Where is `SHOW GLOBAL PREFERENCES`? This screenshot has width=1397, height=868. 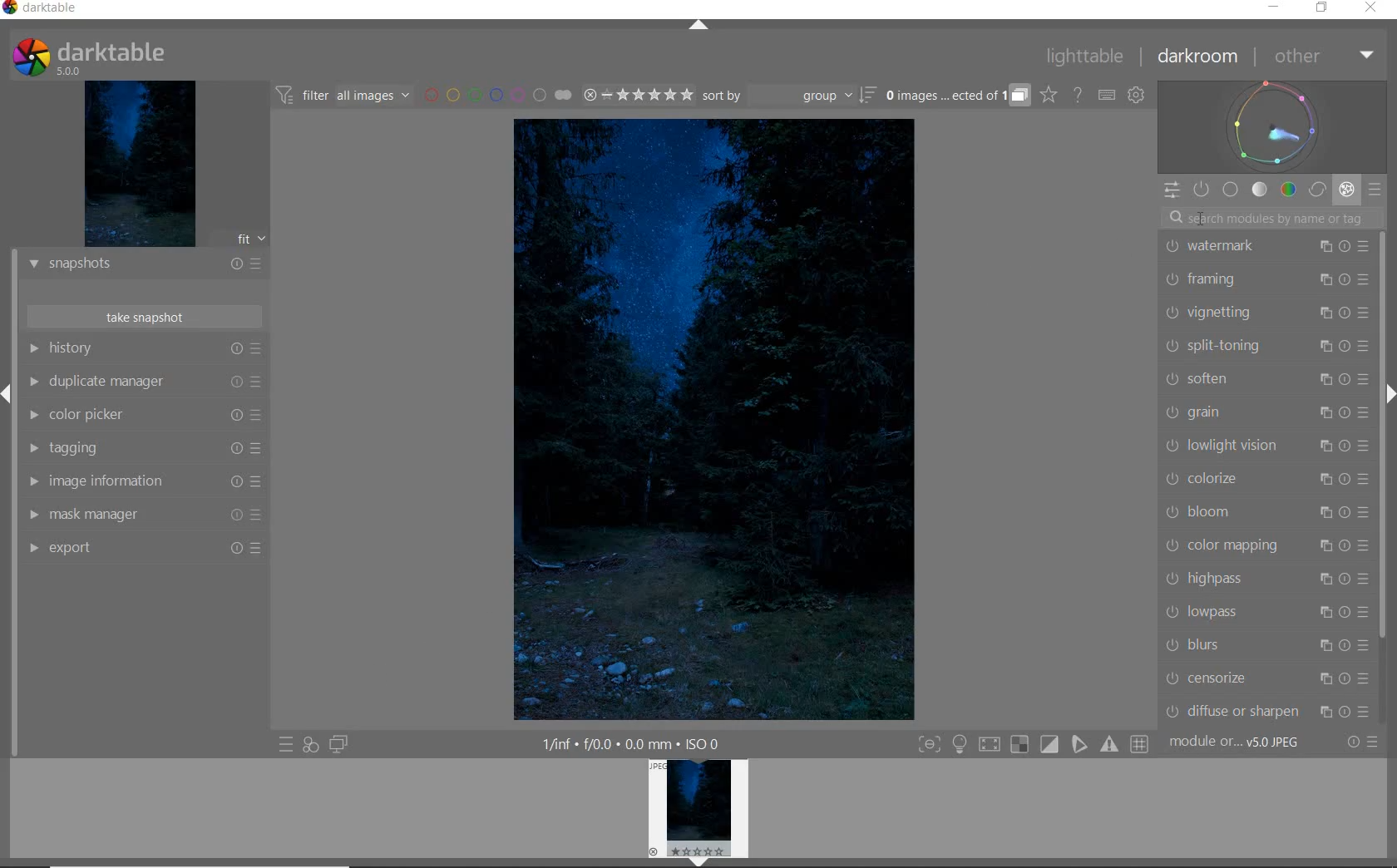 SHOW GLOBAL PREFERENCES is located at coordinates (1136, 95).